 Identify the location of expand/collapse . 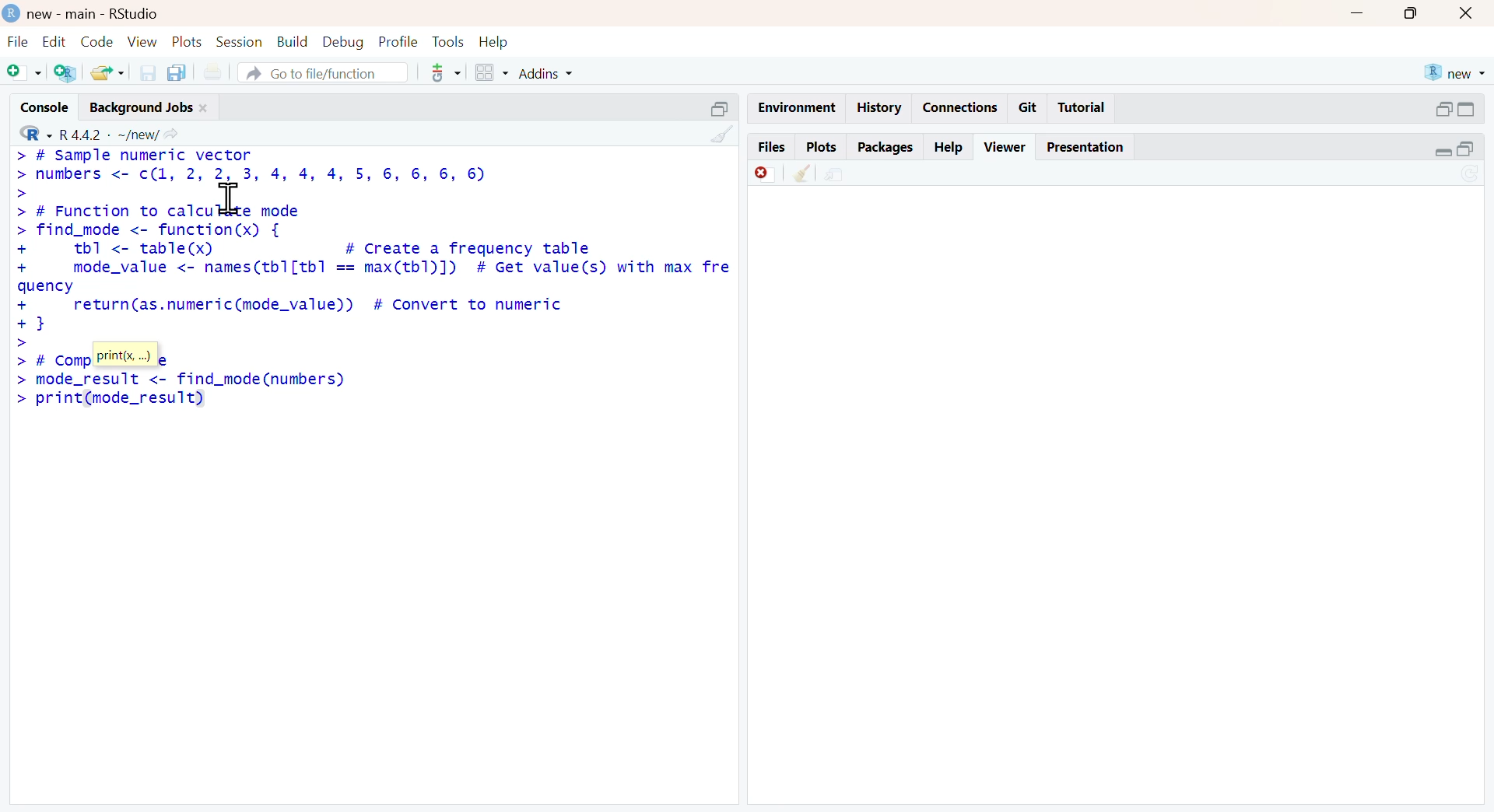
(721, 108).